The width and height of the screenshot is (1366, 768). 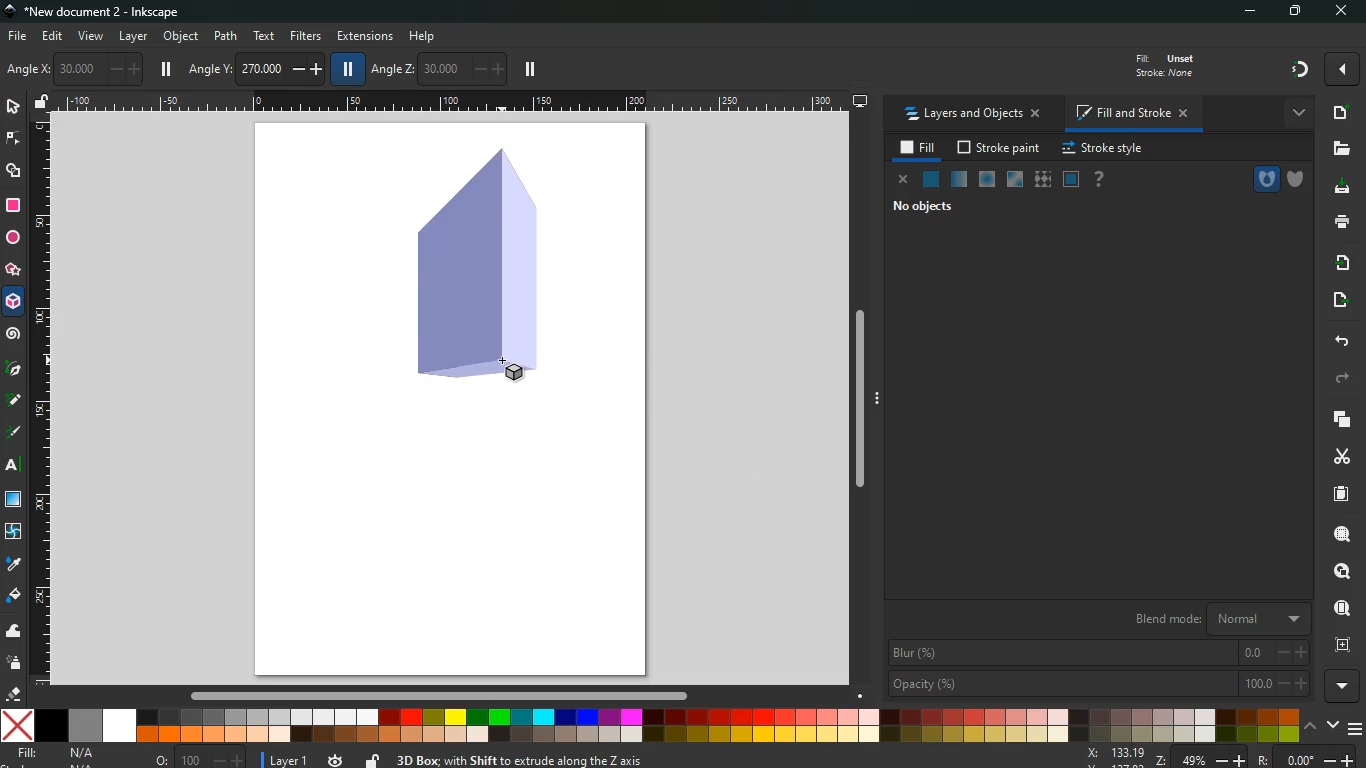 I want to click on message, so click(x=684, y=761).